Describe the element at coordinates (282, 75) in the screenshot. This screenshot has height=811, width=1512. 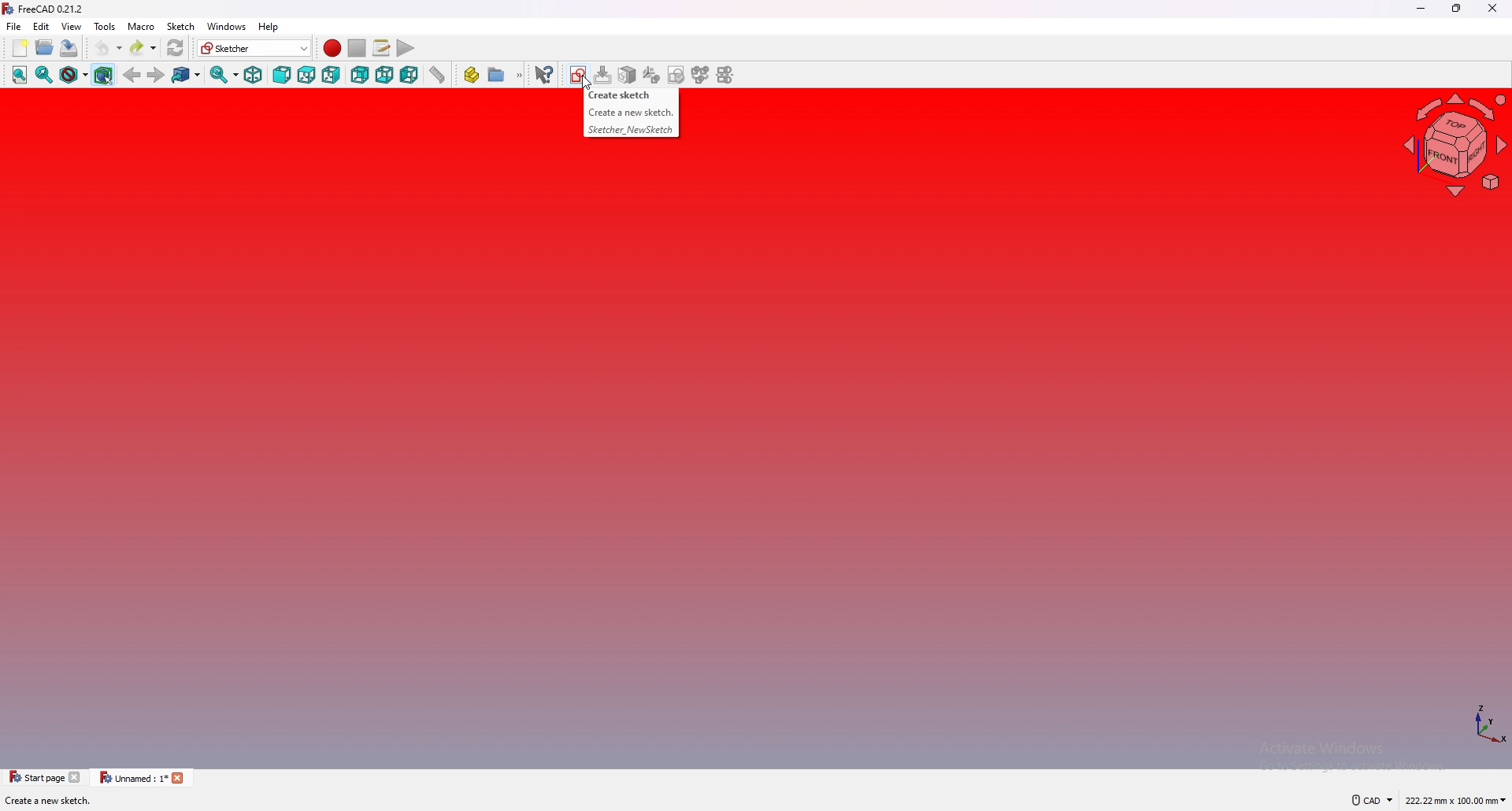
I see `front` at that location.